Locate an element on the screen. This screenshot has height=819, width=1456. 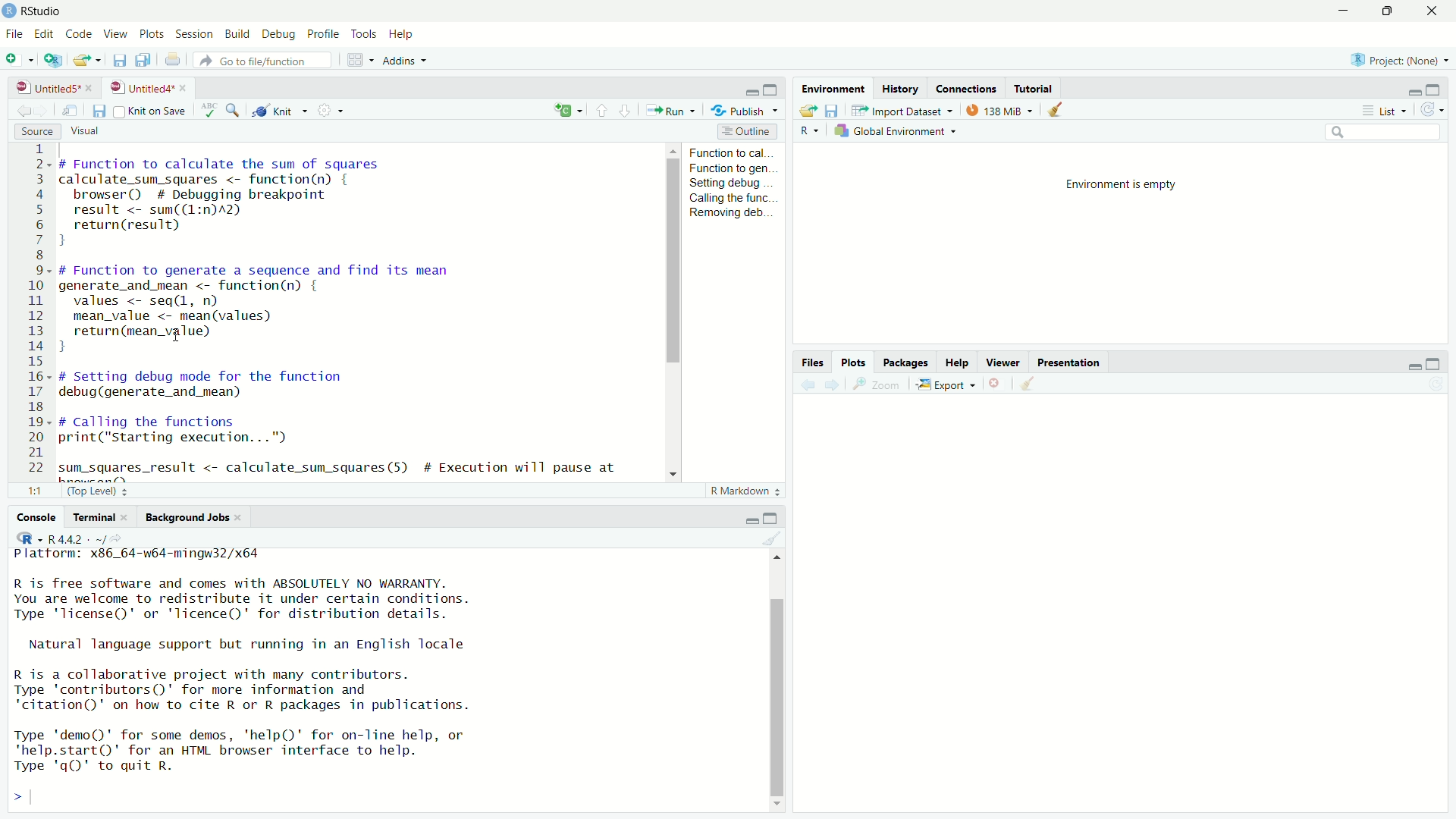
list is located at coordinates (1382, 111).